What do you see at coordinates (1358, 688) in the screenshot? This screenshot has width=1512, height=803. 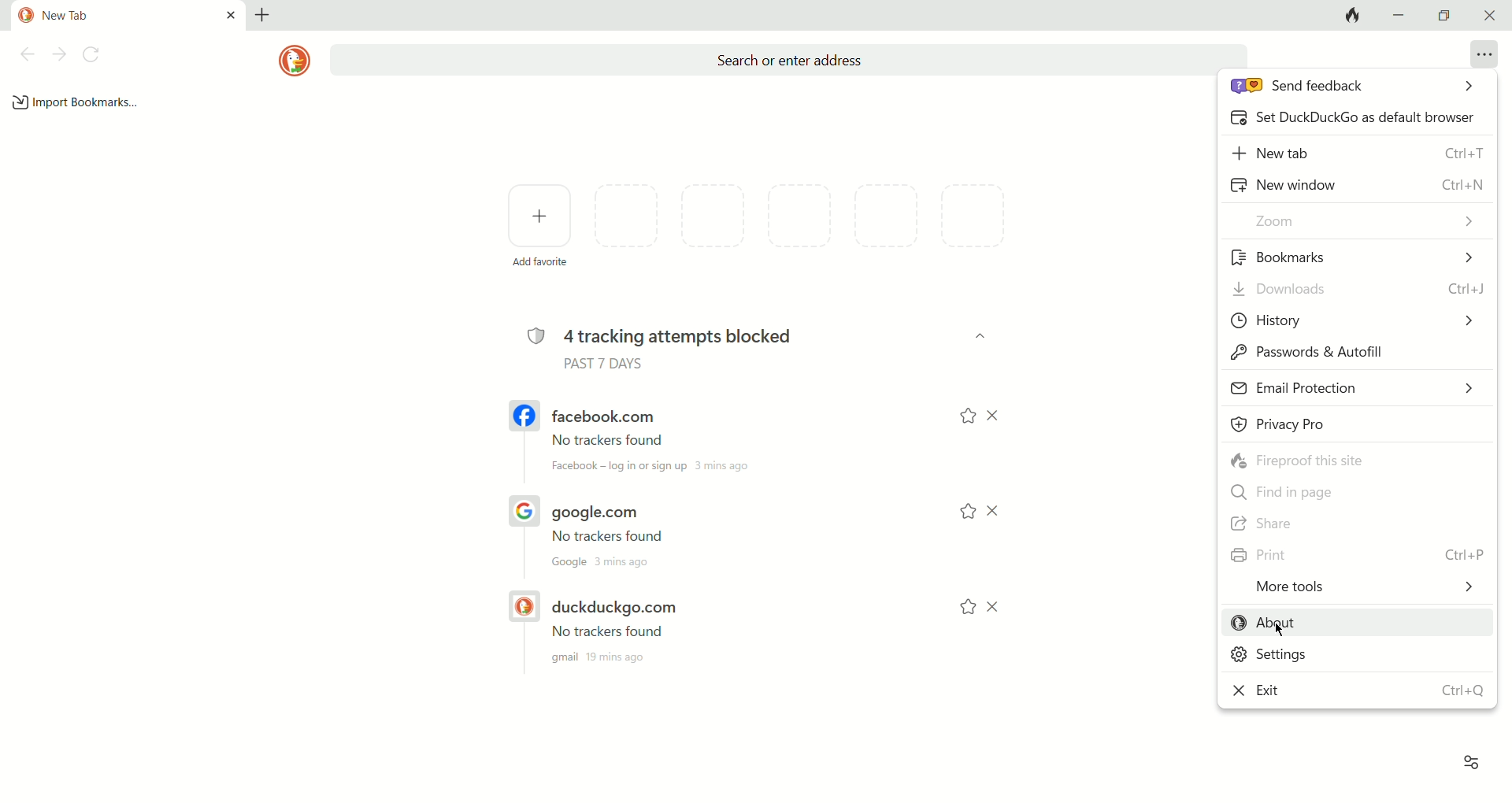 I see `exit` at bounding box center [1358, 688].